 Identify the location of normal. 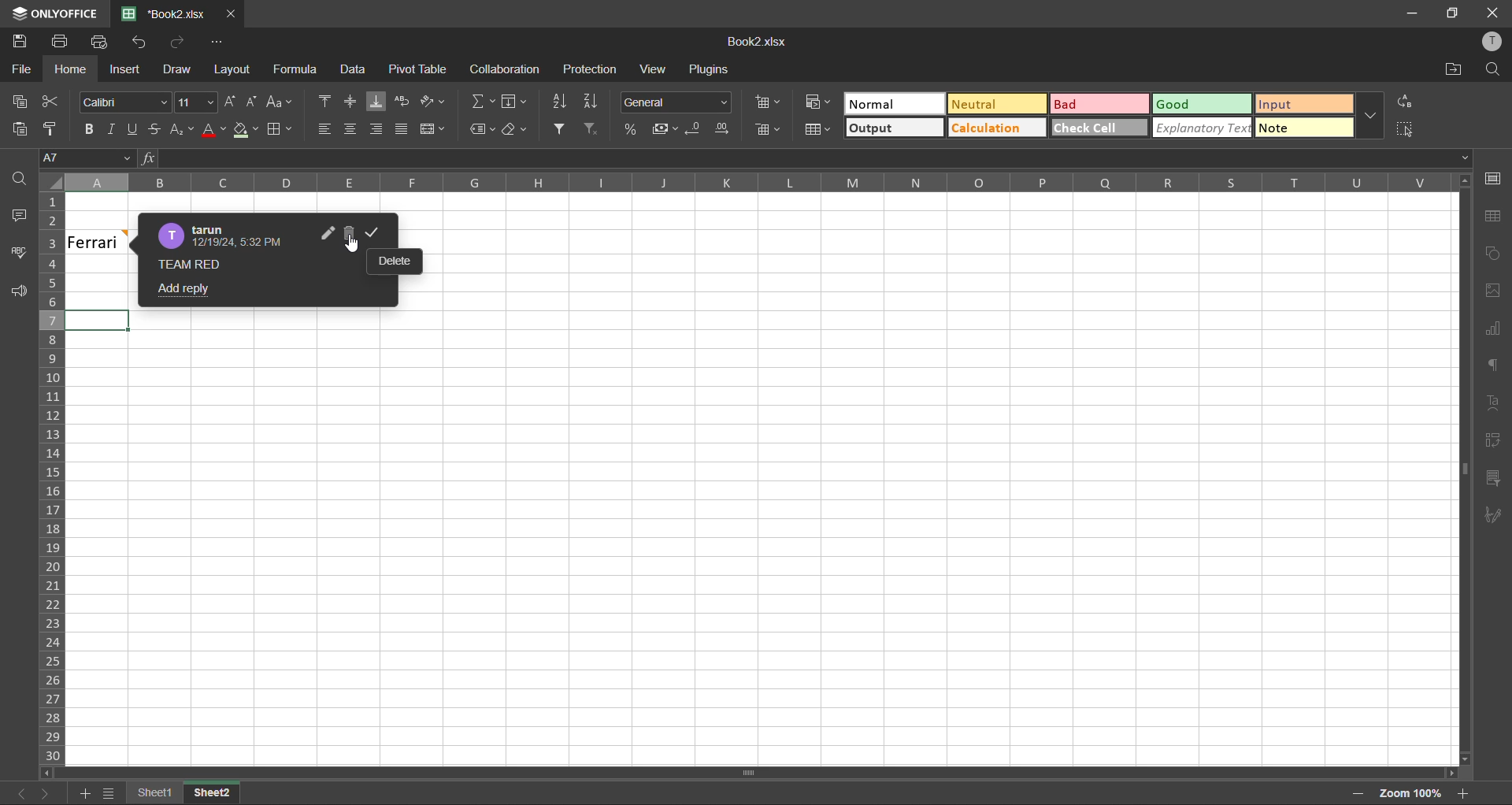
(895, 103).